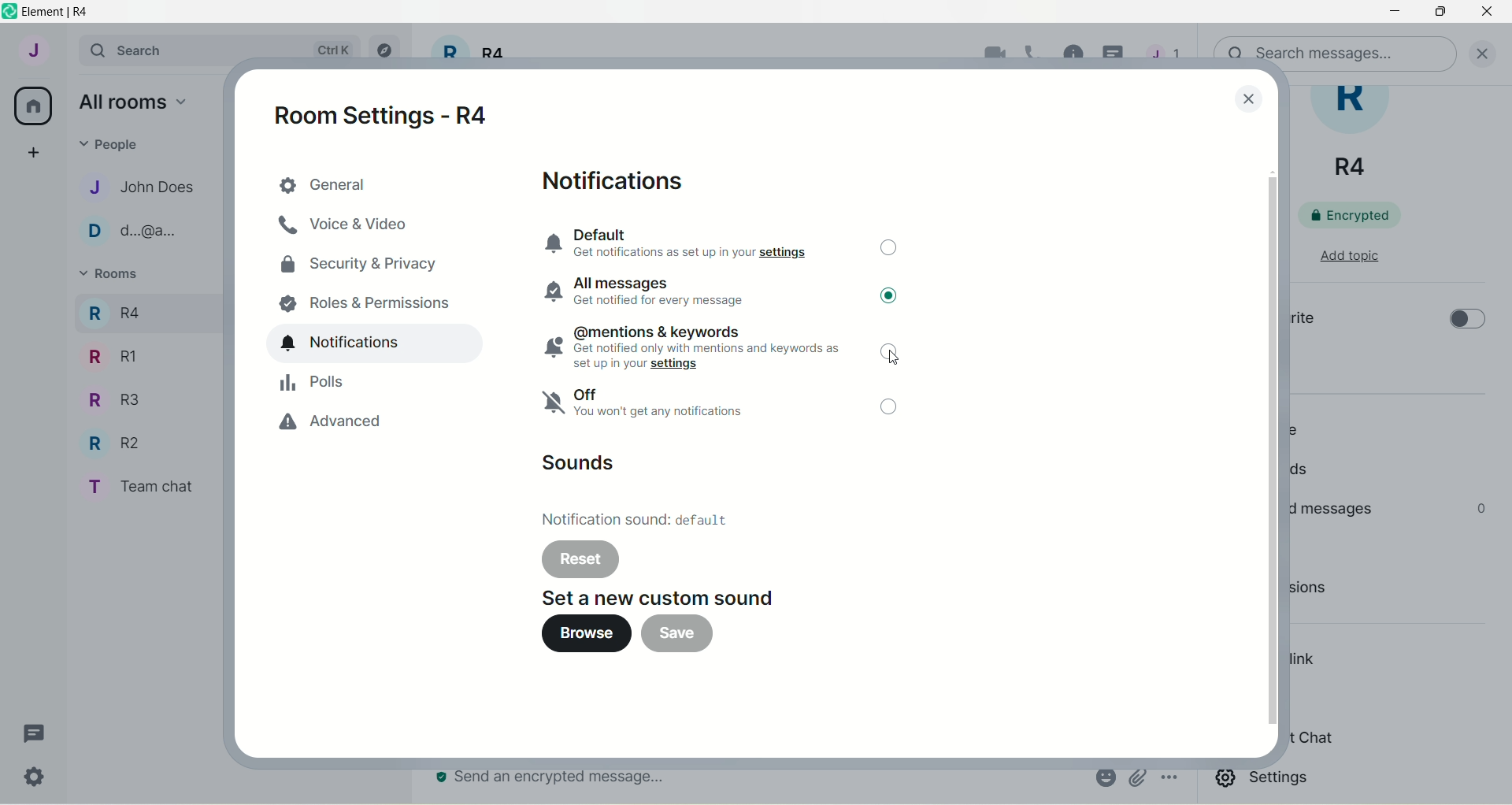  I want to click on browse, so click(577, 634).